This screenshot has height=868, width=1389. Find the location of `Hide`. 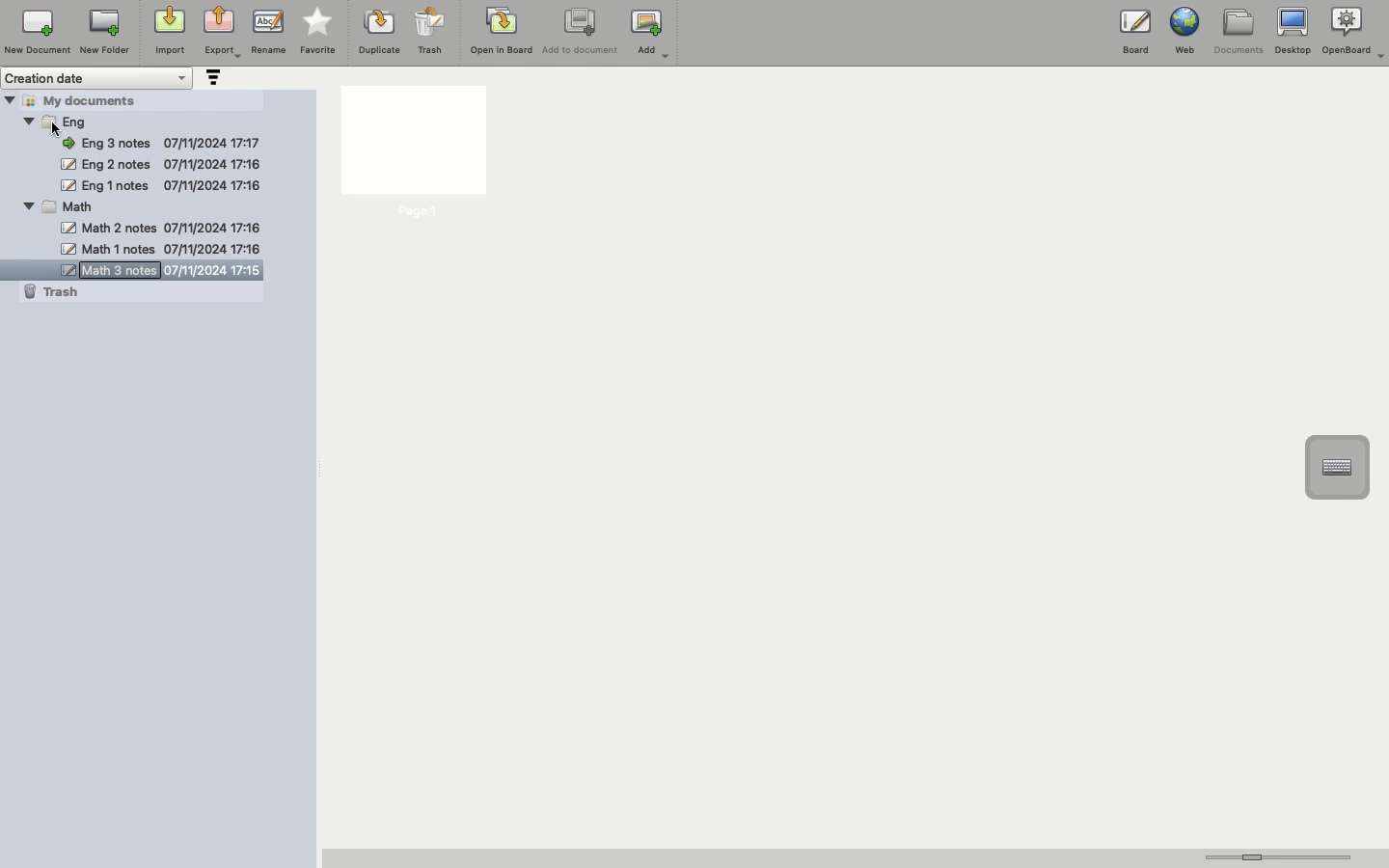

Hide is located at coordinates (27, 202).